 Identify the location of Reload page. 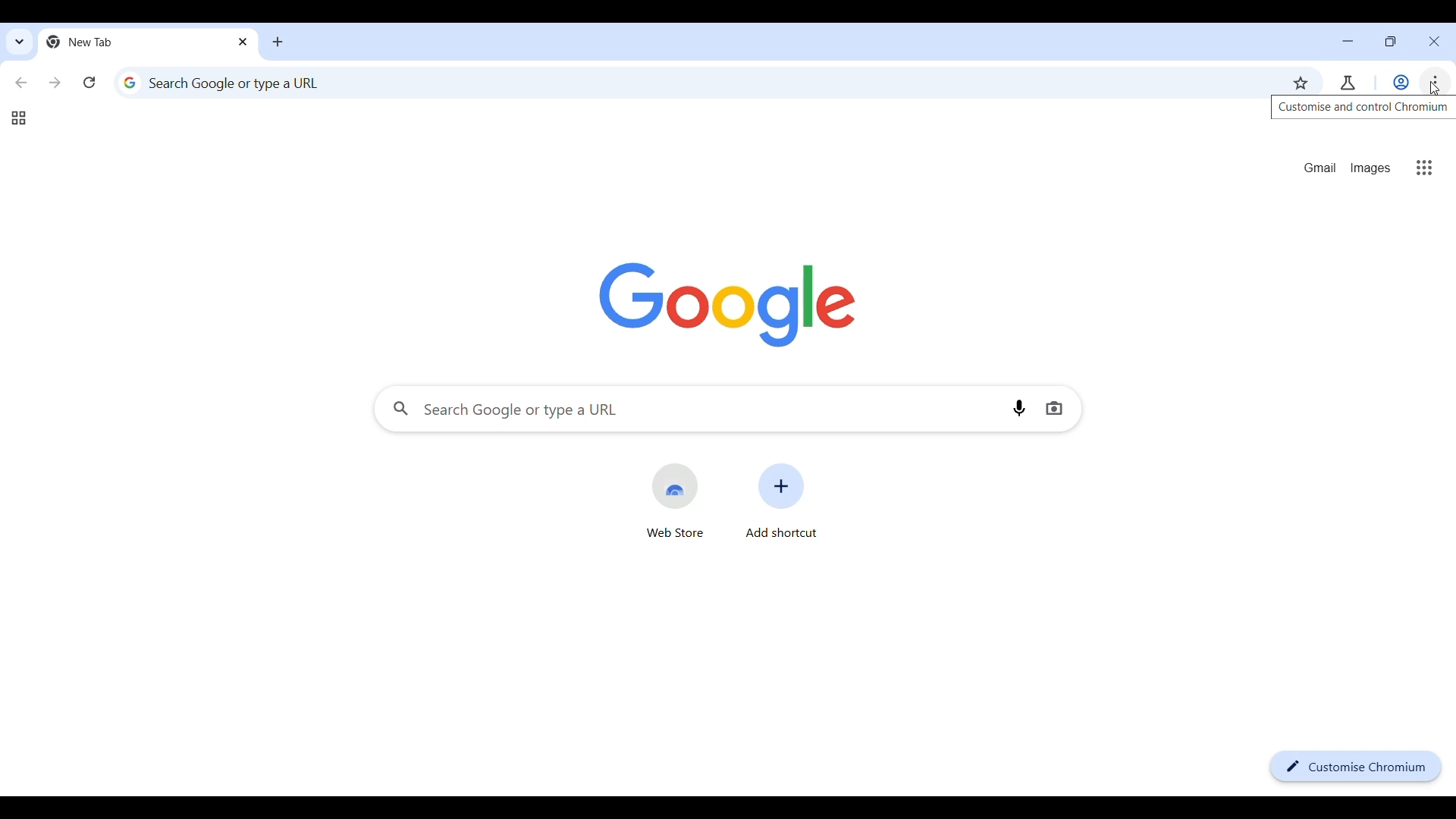
(89, 83).